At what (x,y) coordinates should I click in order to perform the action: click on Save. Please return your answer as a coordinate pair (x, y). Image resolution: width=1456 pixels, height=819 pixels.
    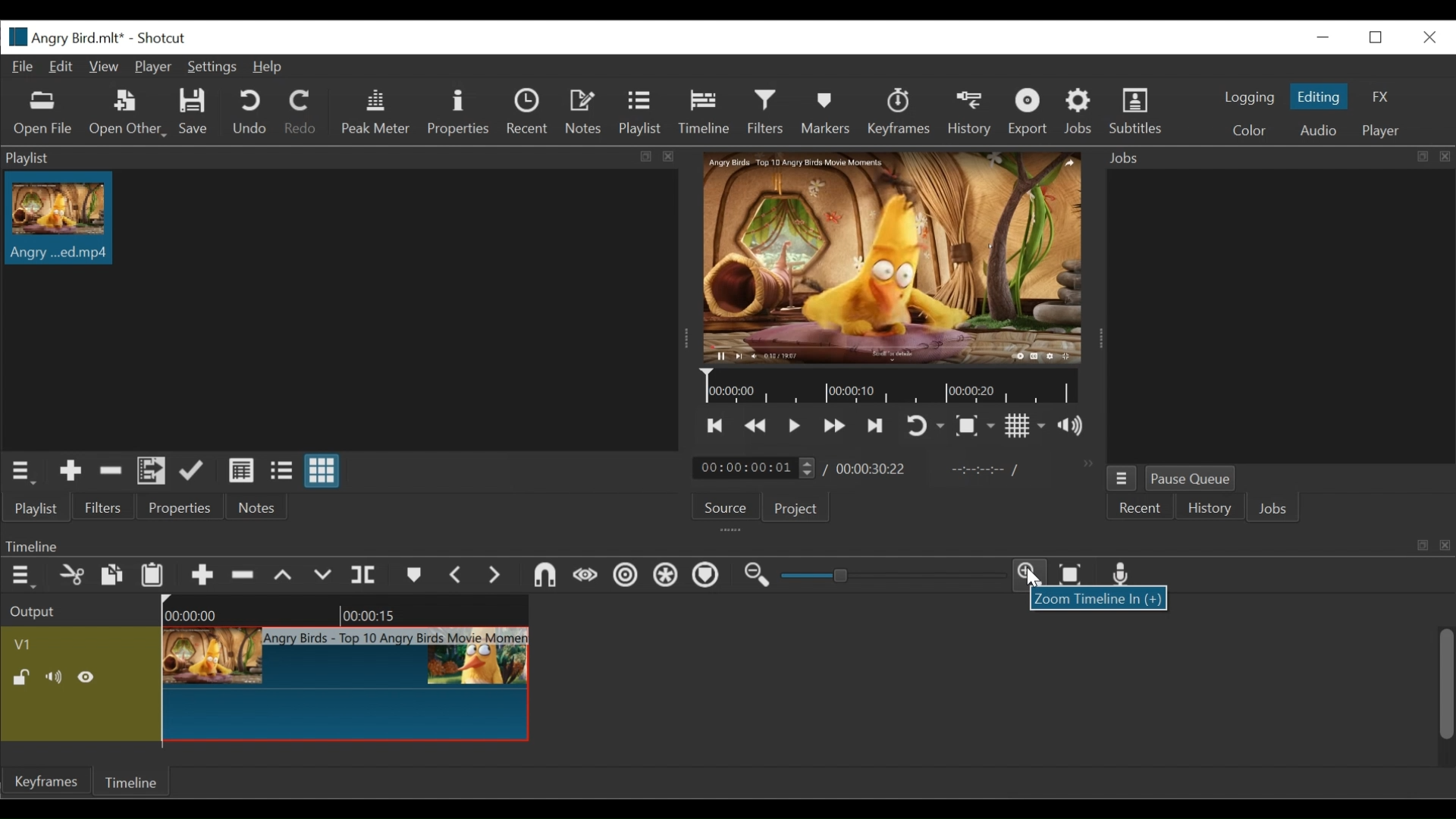
    Looking at the image, I should click on (194, 111).